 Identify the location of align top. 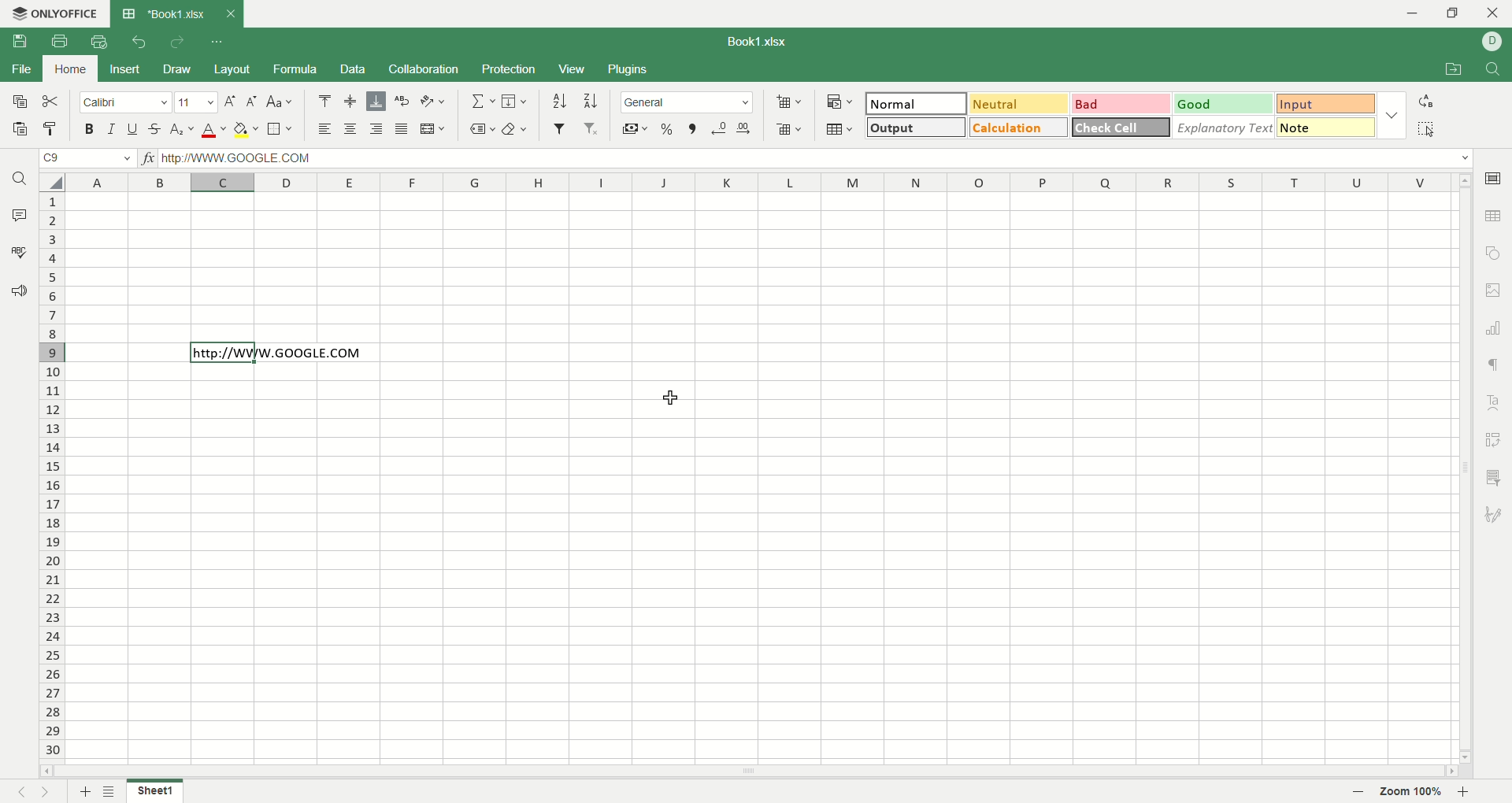
(323, 100).